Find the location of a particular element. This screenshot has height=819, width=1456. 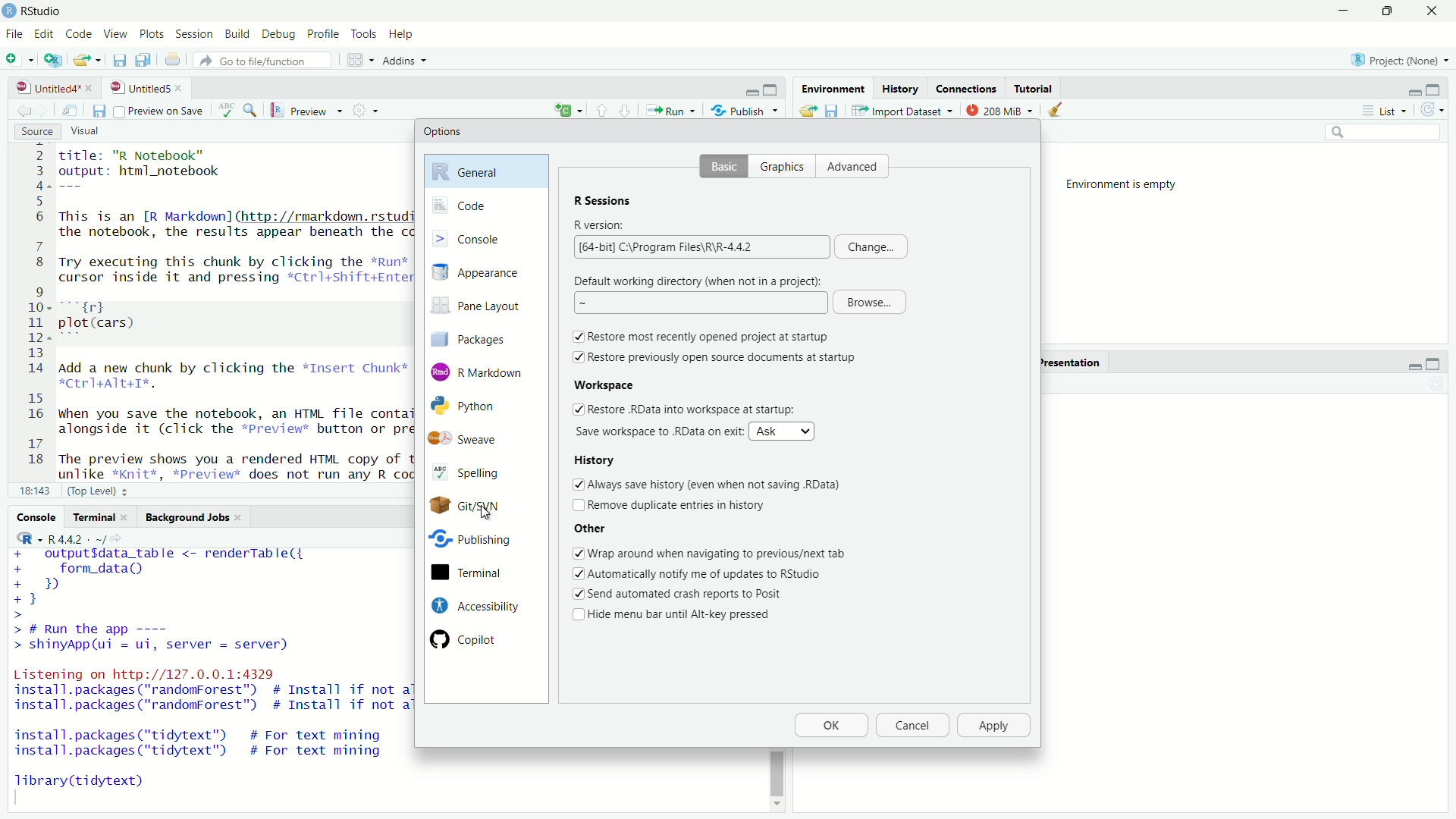

maximize is located at coordinates (773, 90).